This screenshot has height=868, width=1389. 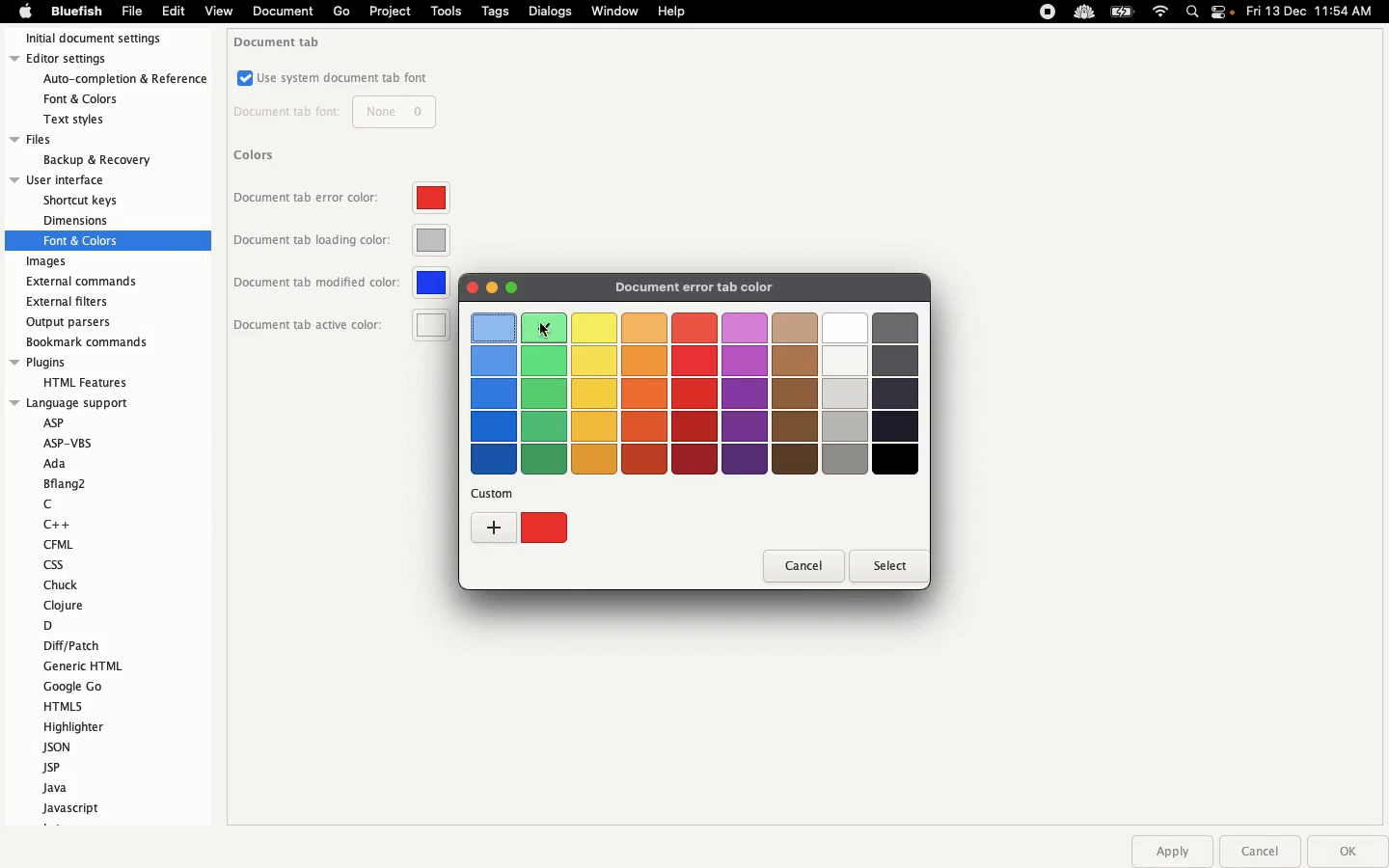 I want to click on Notification, so click(x=1224, y=14).